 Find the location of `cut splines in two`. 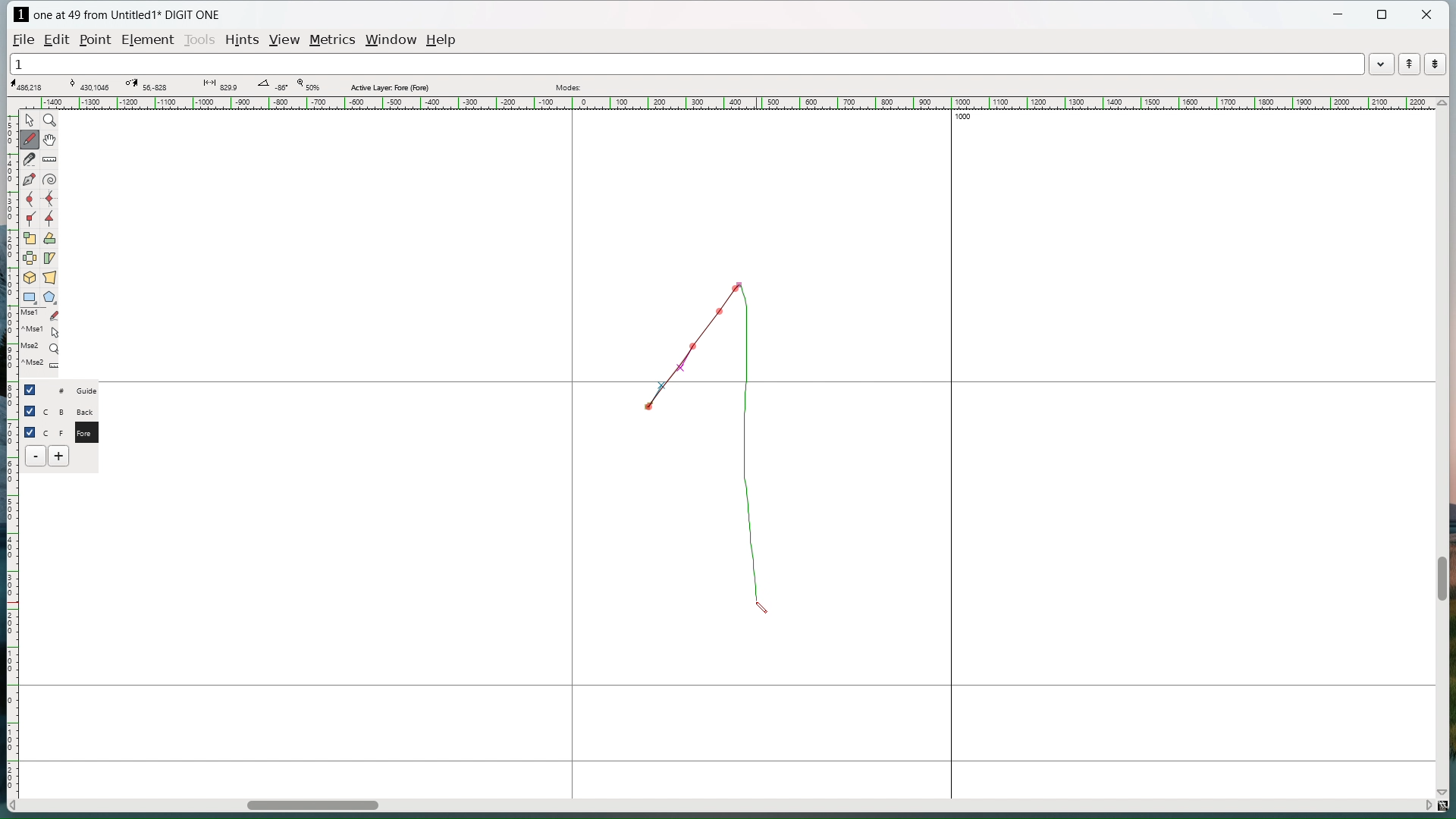

cut splines in two is located at coordinates (30, 159).